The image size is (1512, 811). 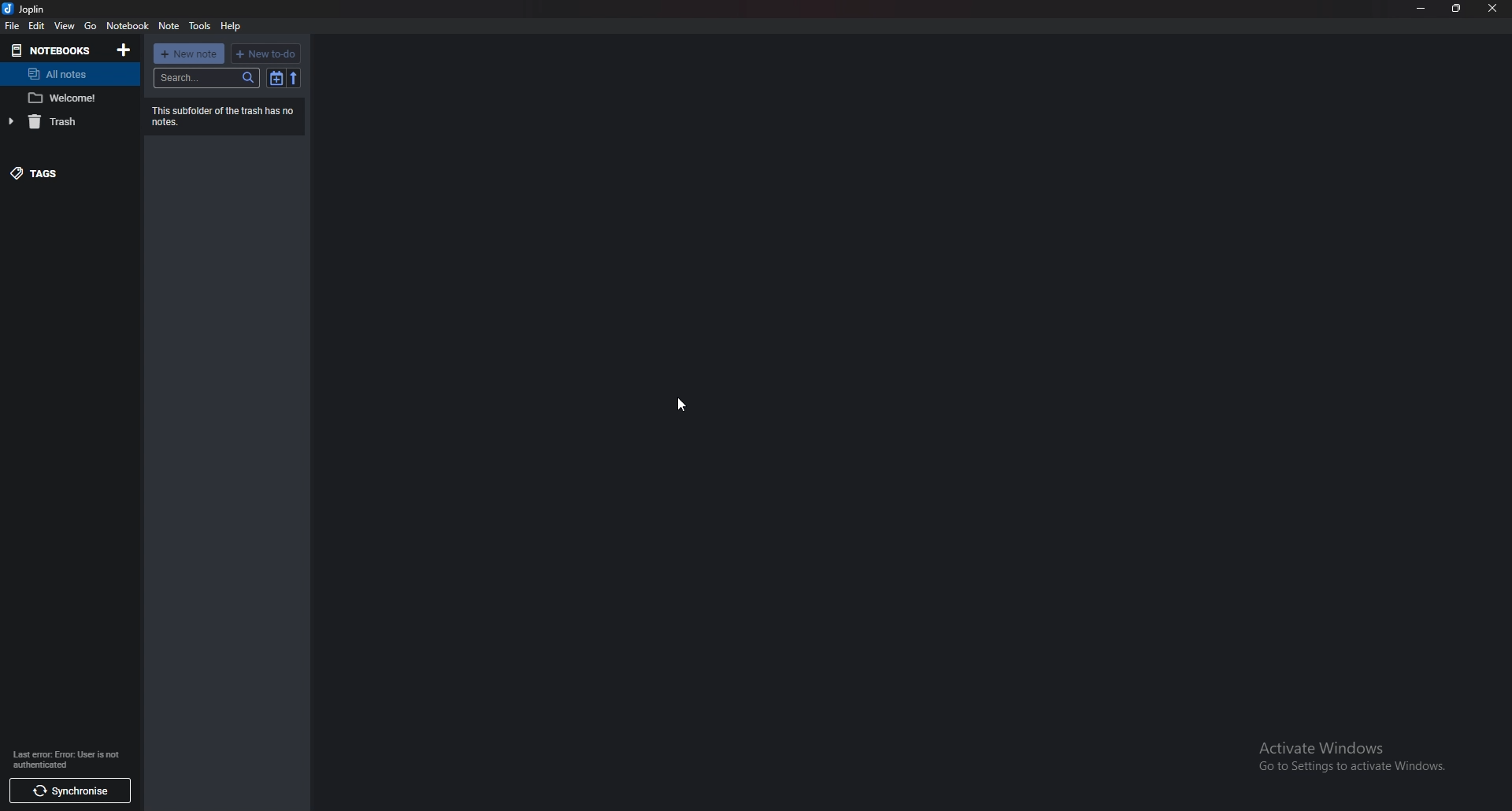 I want to click on note, so click(x=68, y=98).